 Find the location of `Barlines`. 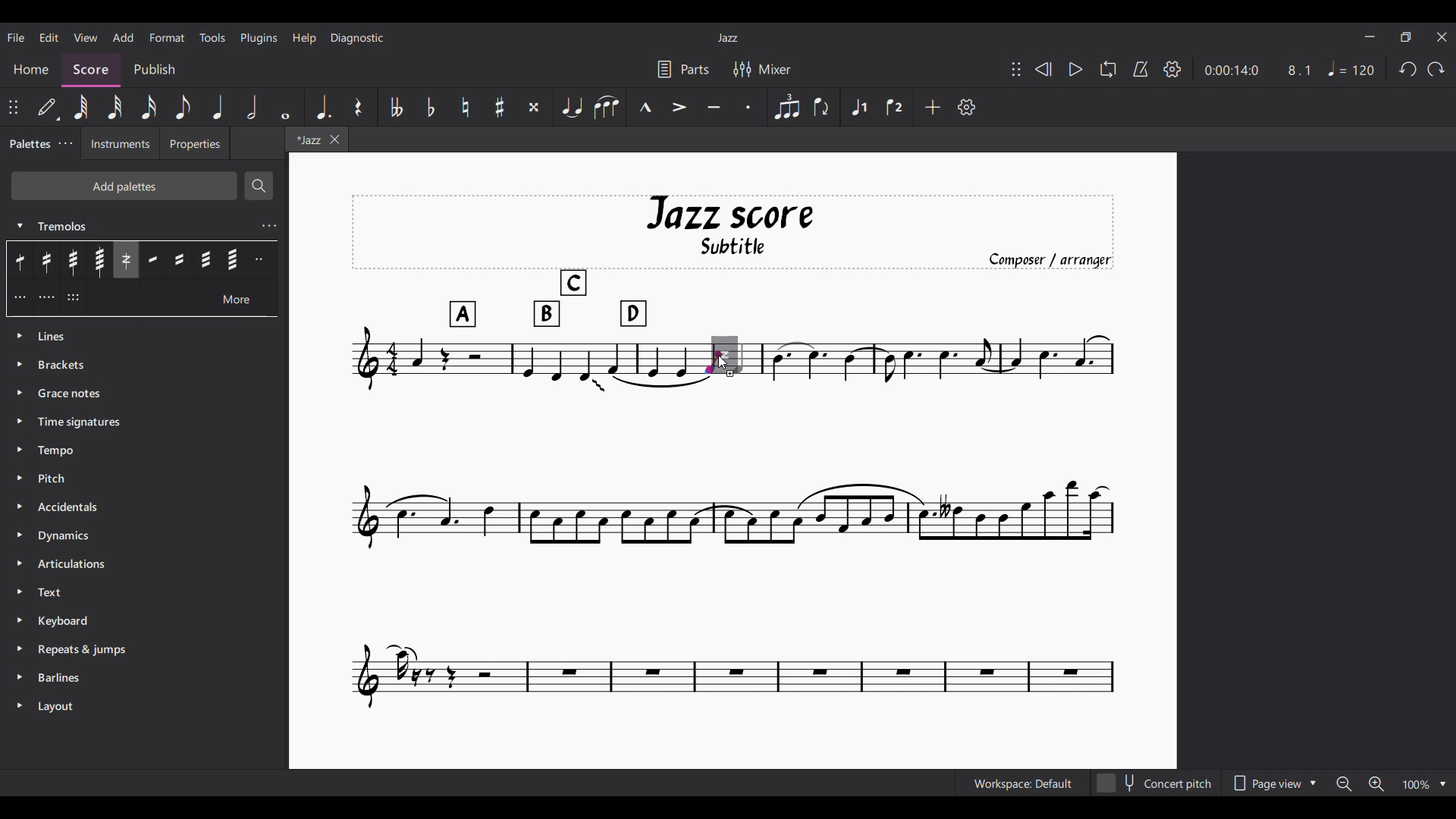

Barlines is located at coordinates (142, 678).